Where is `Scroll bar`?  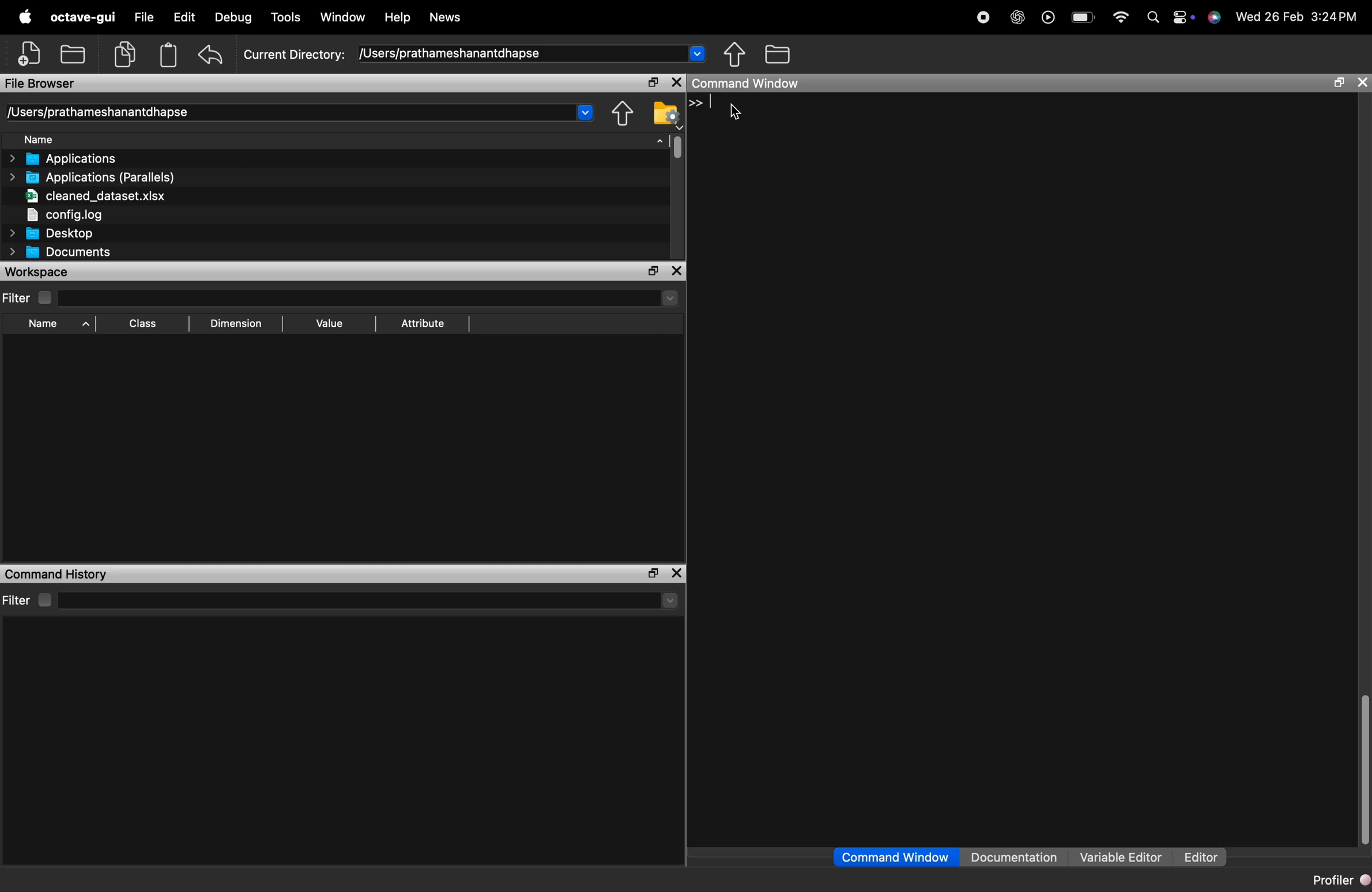
Scroll bar is located at coordinates (1361, 771).